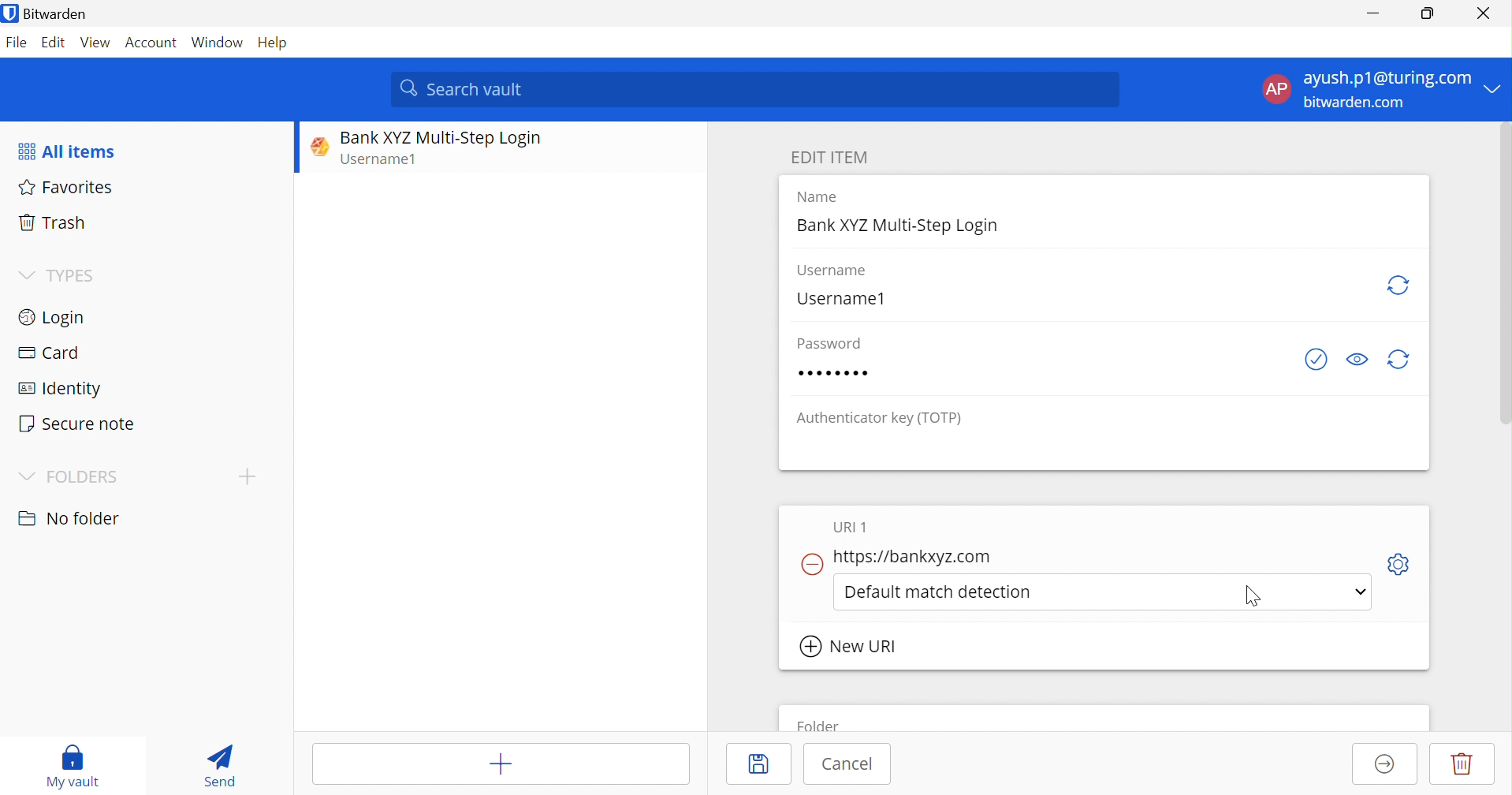 The height and width of the screenshot is (795, 1512). Describe the element at coordinates (76, 275) in the screenshot. I see `TYPES` at that location.